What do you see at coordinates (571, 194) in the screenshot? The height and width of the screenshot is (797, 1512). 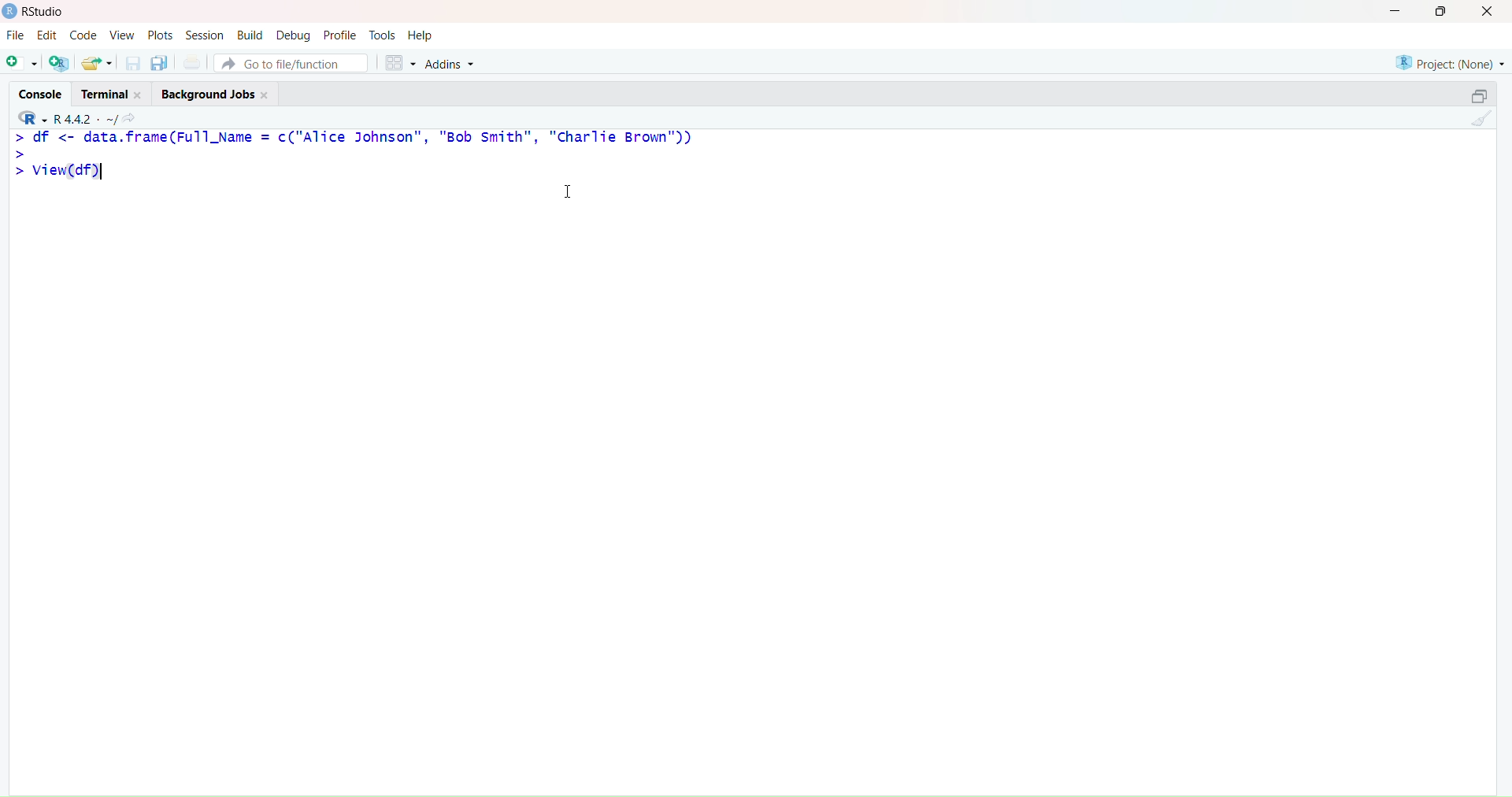 I see `Cursor` at bounding box center [571, 194].